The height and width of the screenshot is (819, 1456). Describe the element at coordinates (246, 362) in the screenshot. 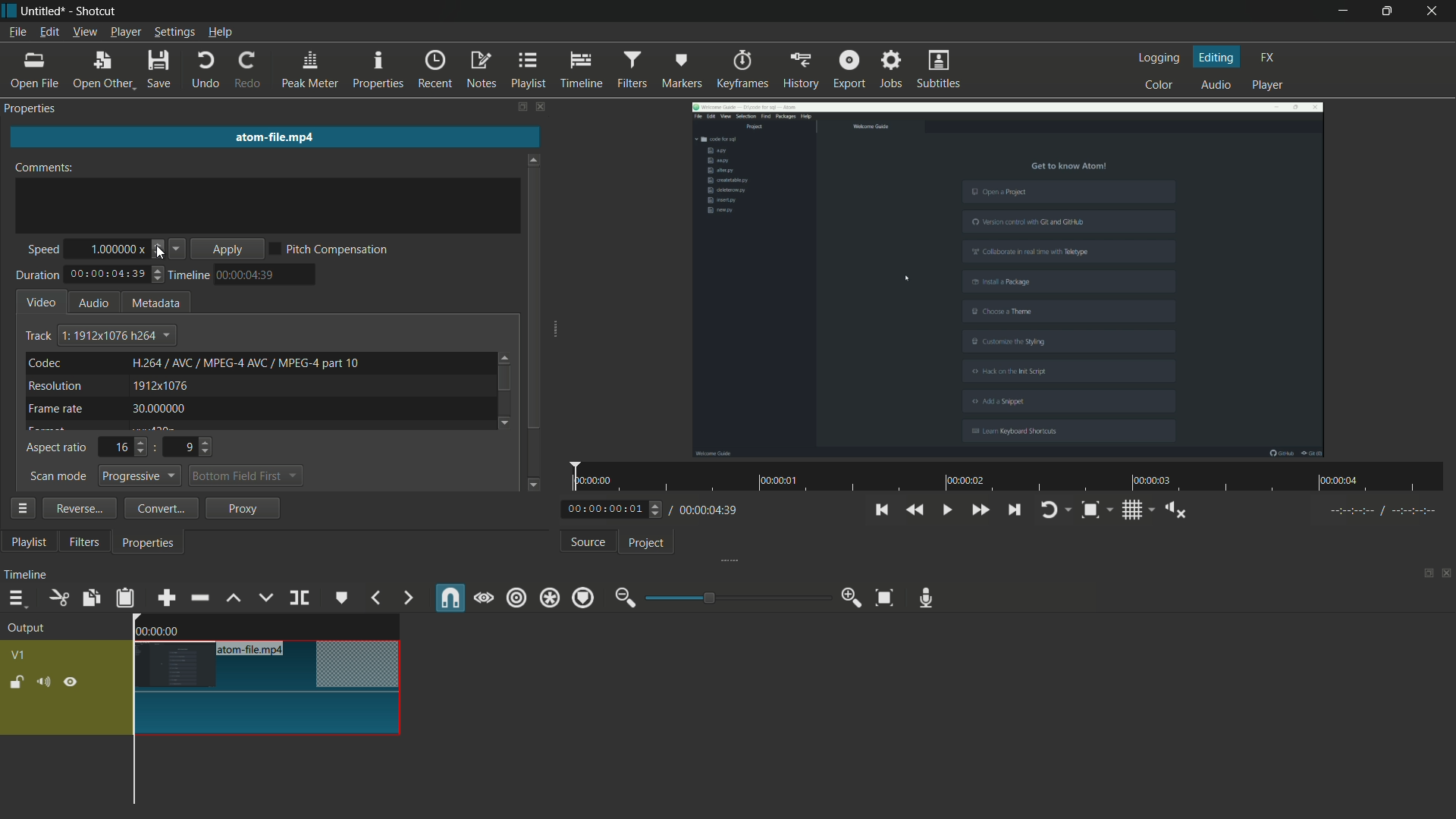

I see `text` at that location.